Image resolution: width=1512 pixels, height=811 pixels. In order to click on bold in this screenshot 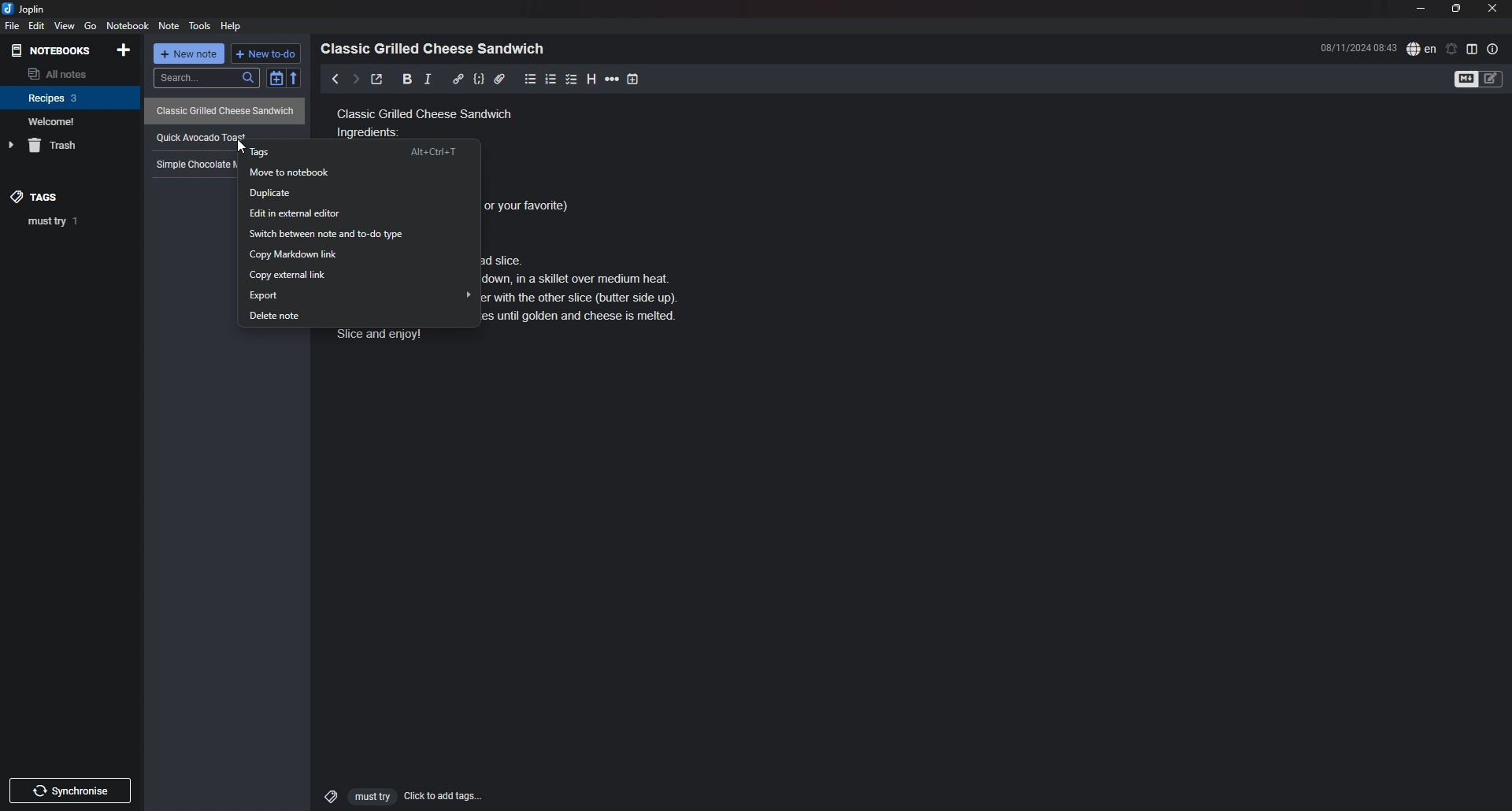, I will do `click(402, 80)`.